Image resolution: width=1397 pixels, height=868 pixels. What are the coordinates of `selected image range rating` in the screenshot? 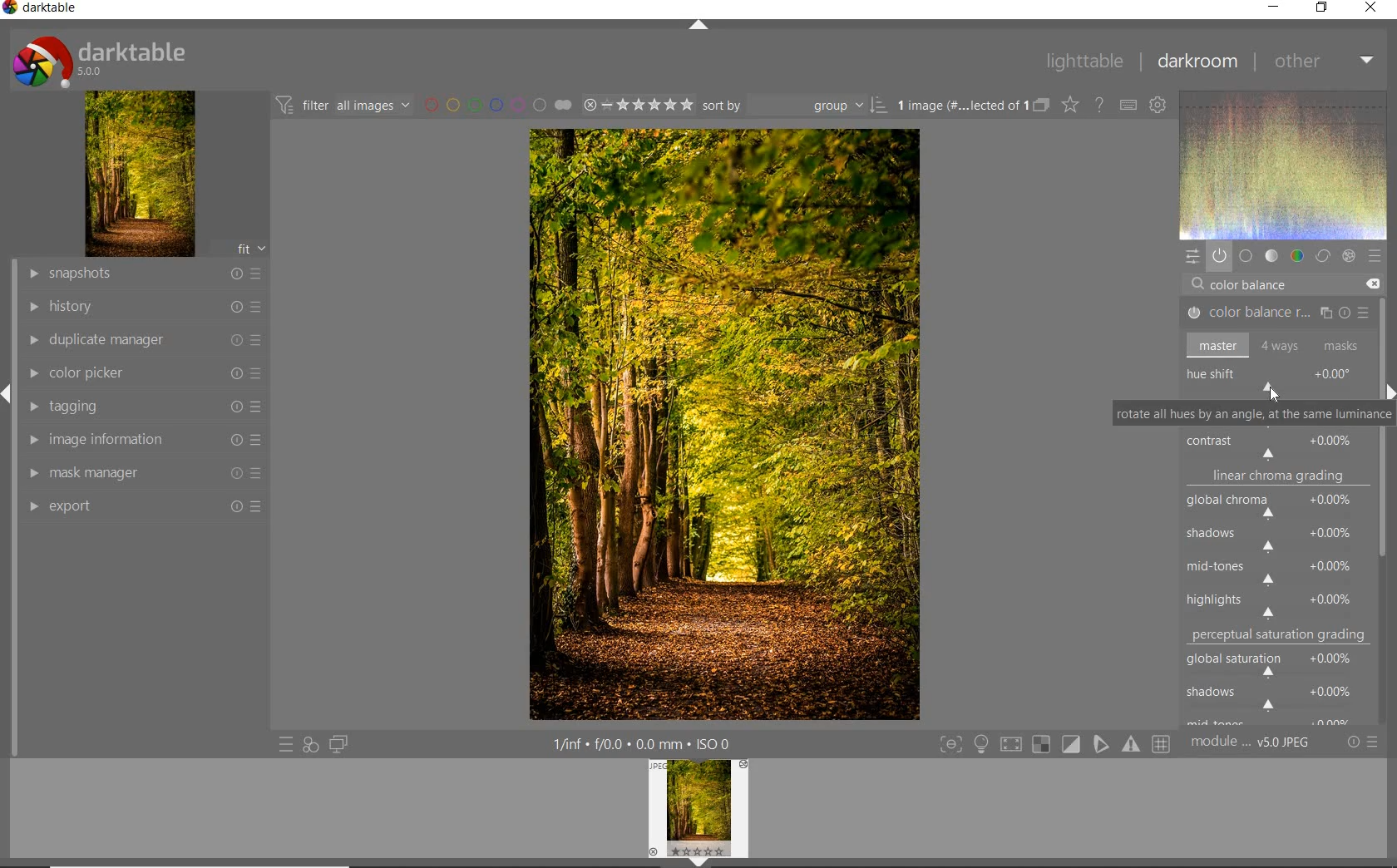 It's located at (638, 106).